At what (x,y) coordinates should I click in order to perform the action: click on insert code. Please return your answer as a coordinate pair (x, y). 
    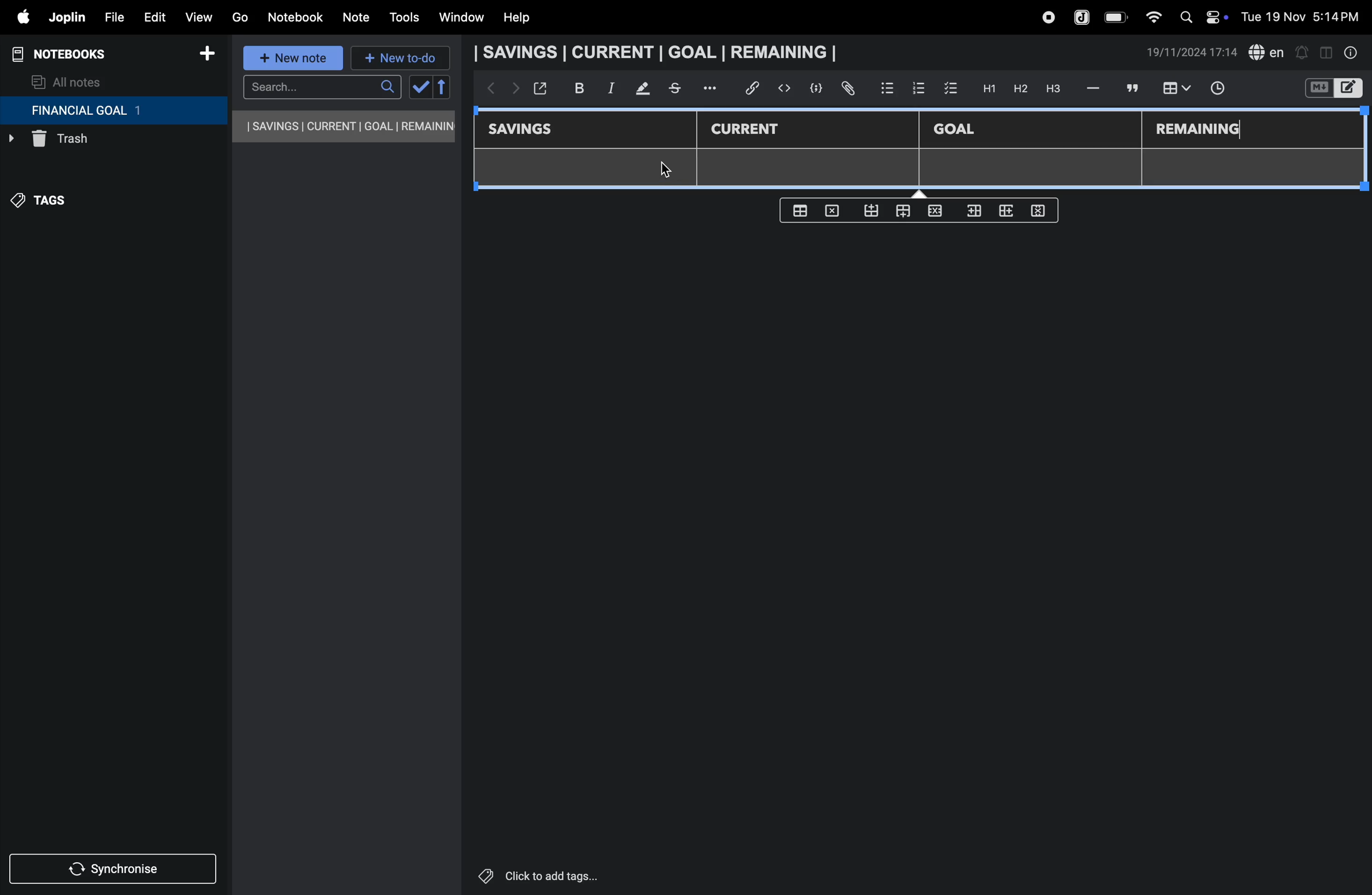
    Looking at the image, I should click on (785, 88).